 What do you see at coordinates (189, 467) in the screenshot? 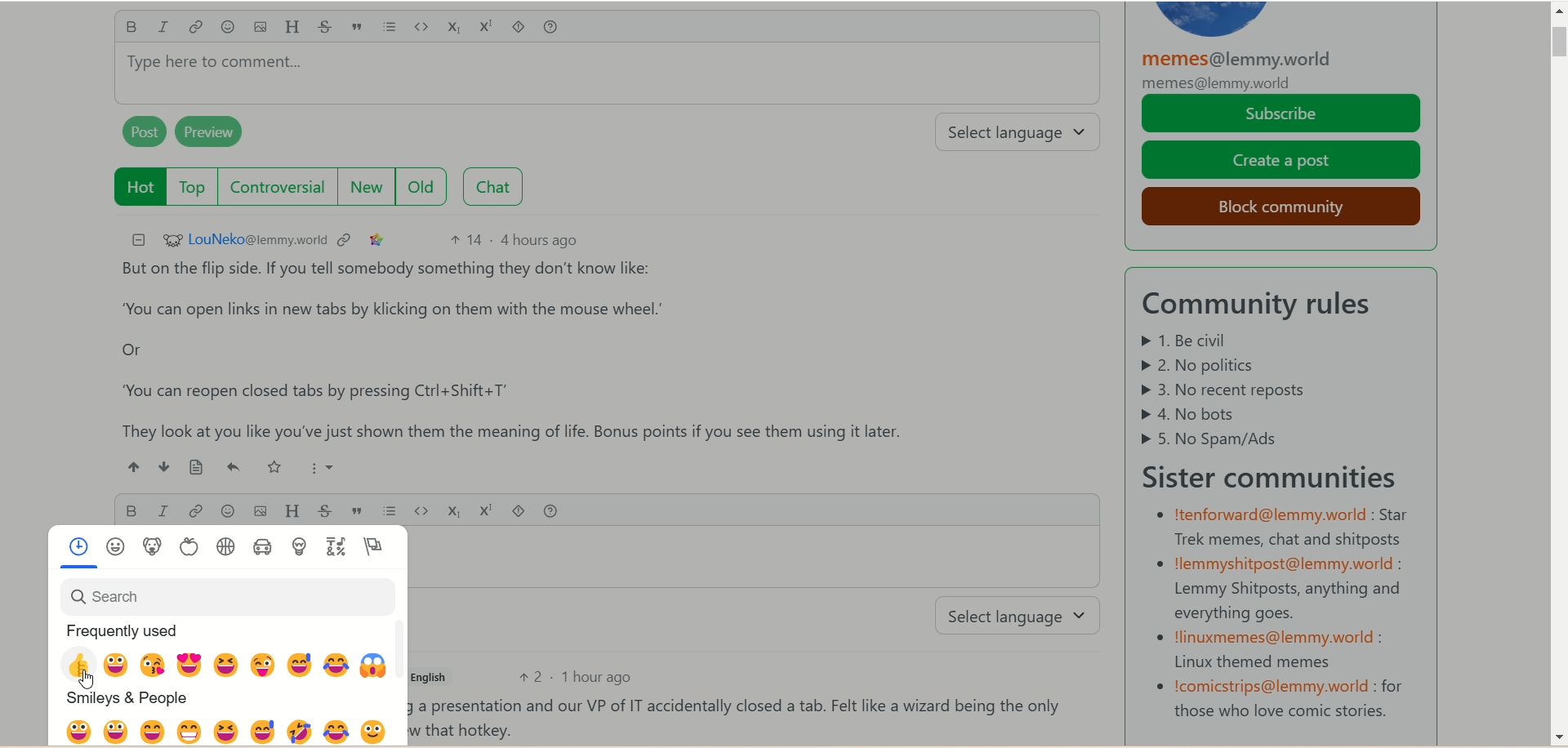
I see `source` at bounding box center [189, 467].